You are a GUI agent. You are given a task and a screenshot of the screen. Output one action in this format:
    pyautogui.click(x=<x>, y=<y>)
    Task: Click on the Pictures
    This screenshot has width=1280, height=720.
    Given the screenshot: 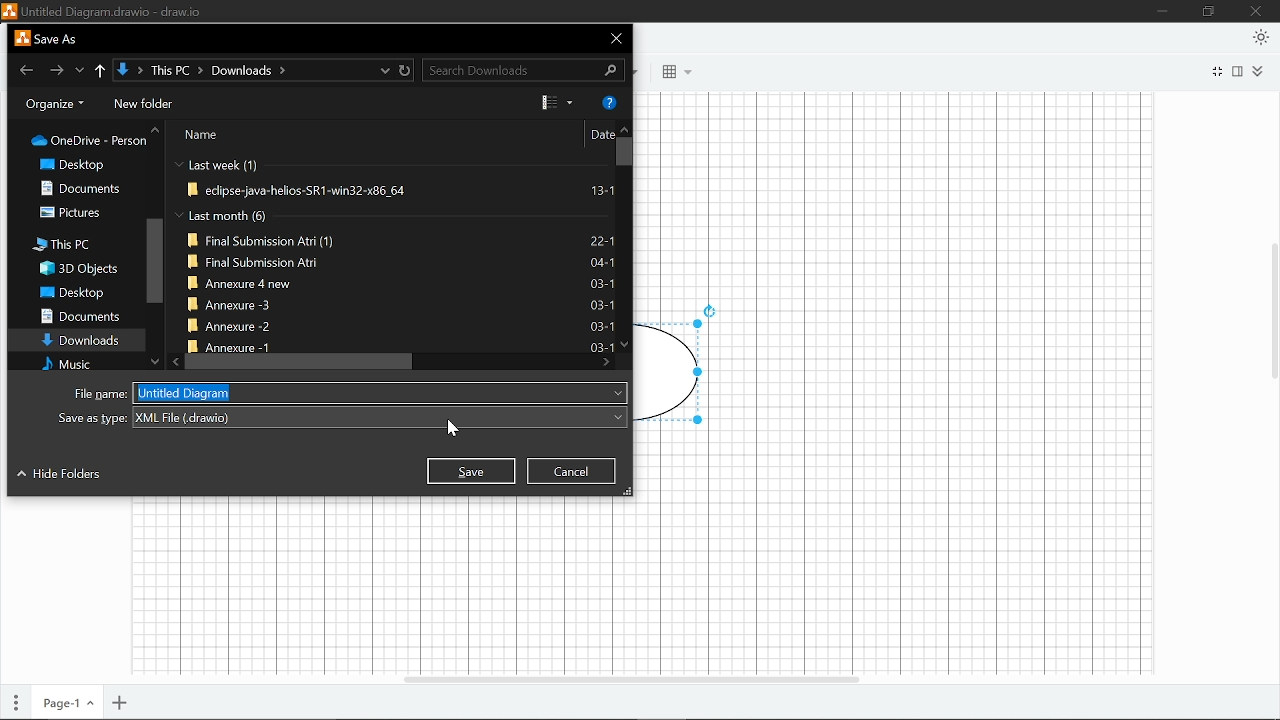 What is the action you would take?
    pyautogui.click(x=76, y=213)
    